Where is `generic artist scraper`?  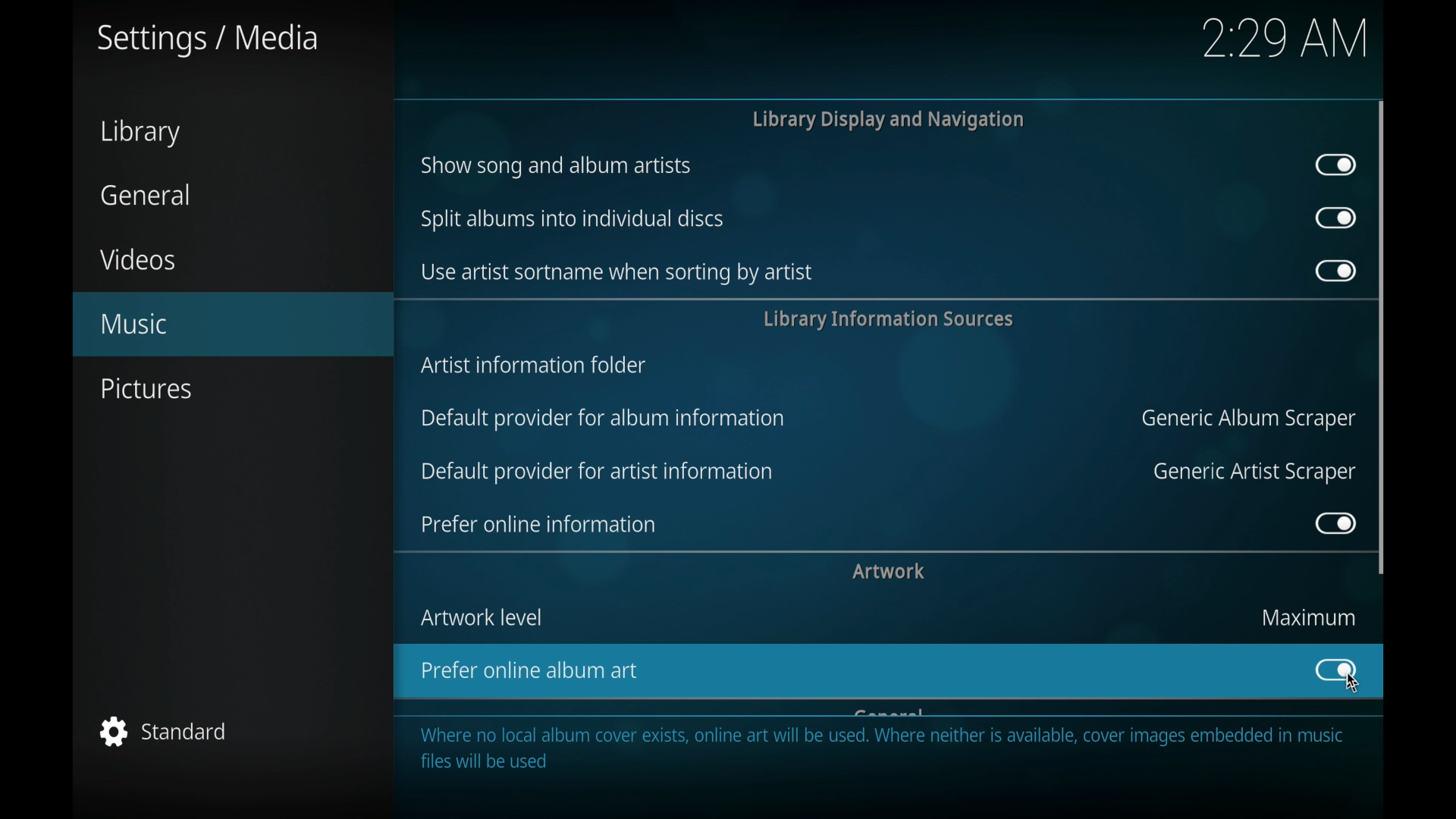 generic artist scraper is located at coordinates (1252, 472).